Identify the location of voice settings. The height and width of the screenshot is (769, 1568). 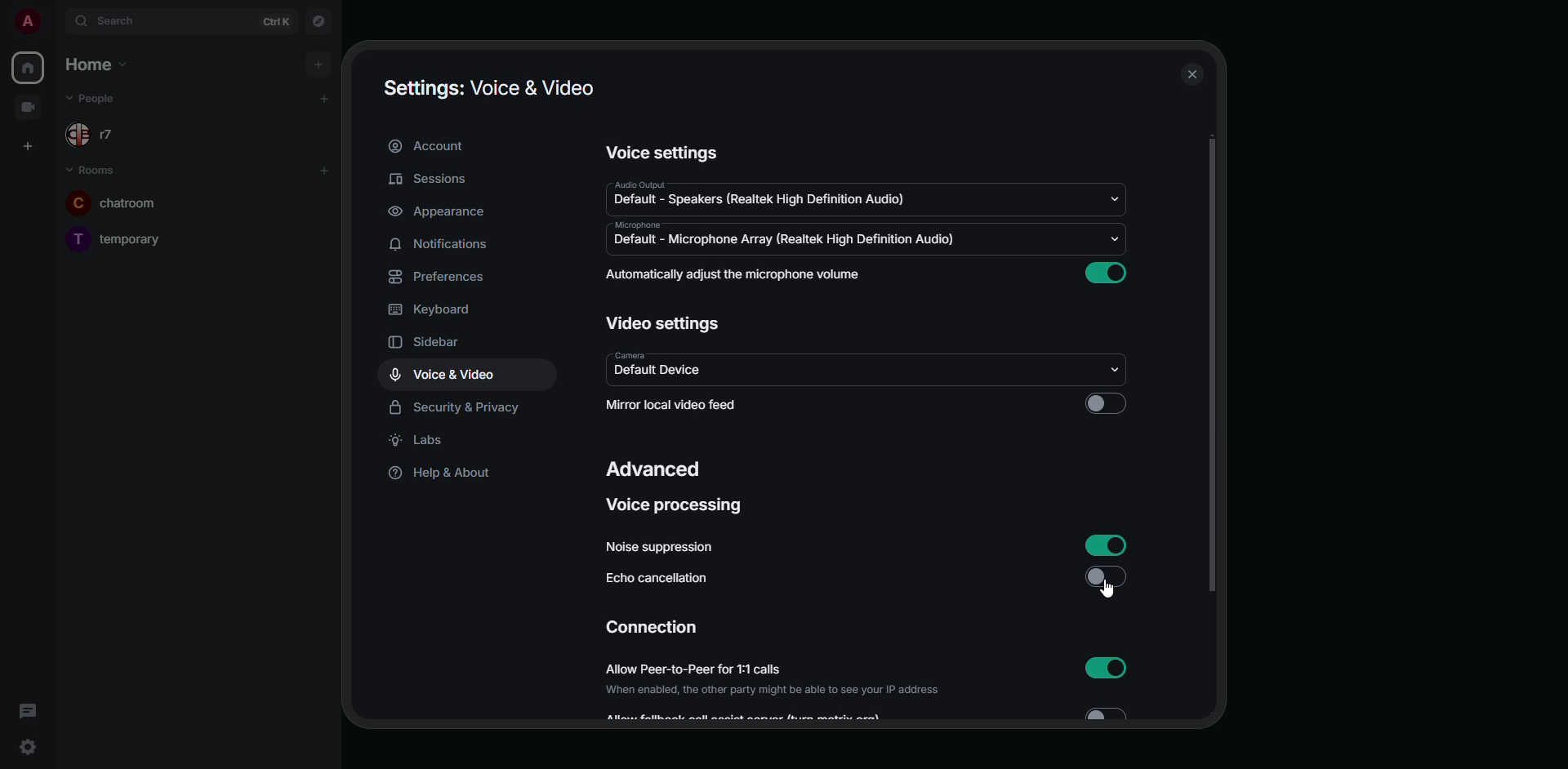
(660, 154).